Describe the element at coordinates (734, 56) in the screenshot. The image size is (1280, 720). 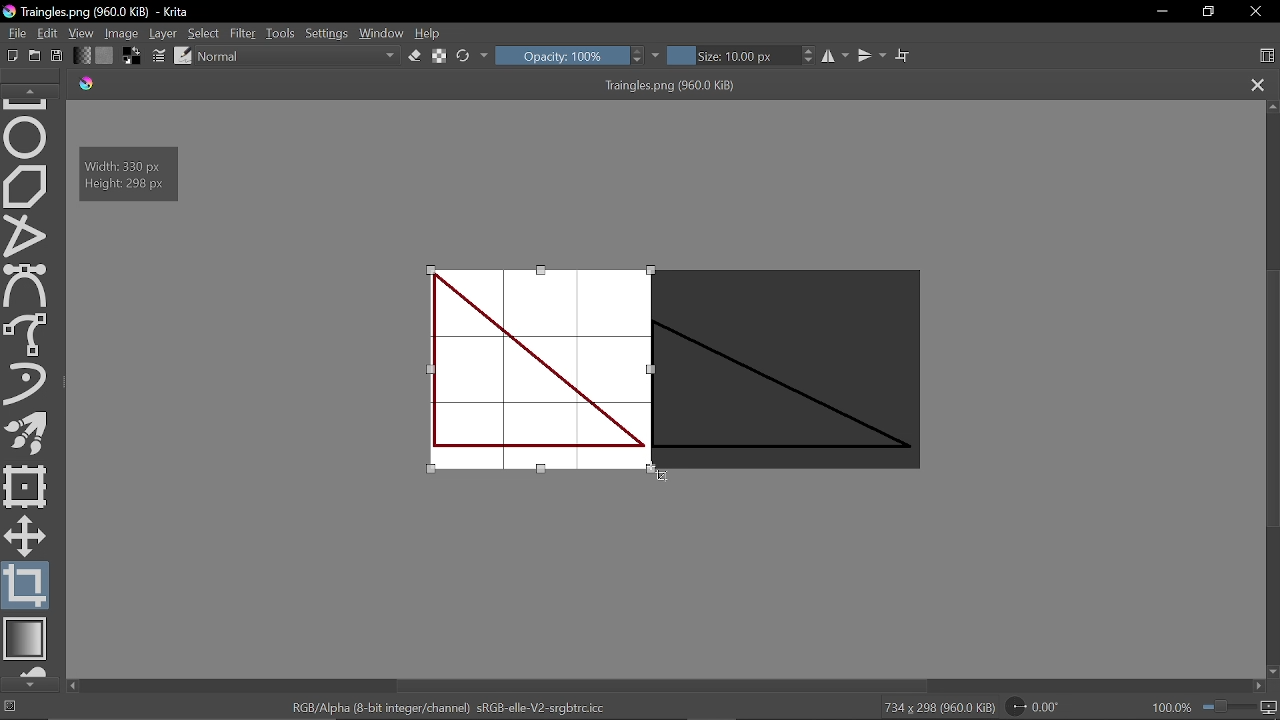
I see `Size: 10.00 px` at that location.